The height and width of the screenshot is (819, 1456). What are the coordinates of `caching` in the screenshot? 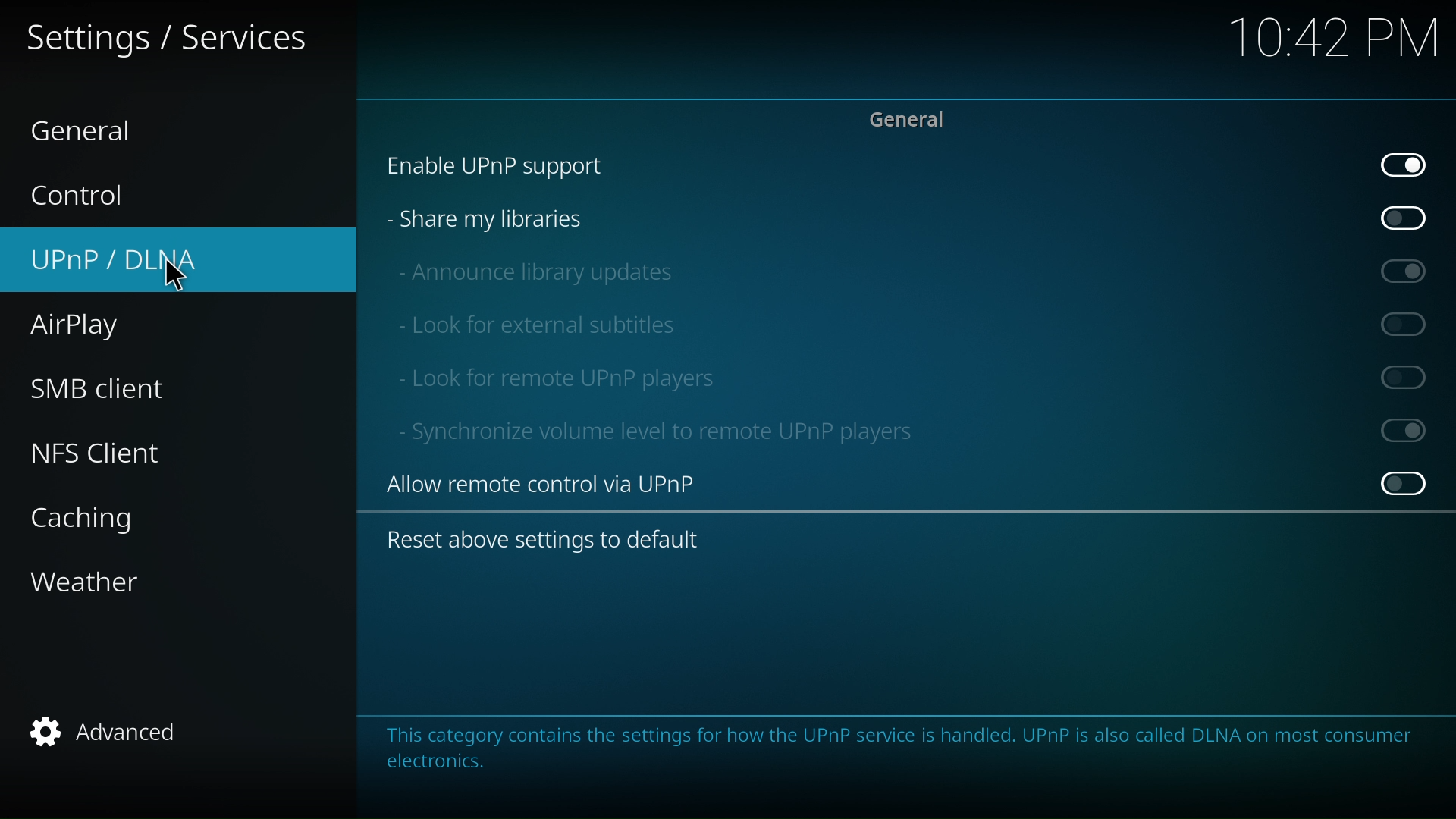 It's located at (95, 520).